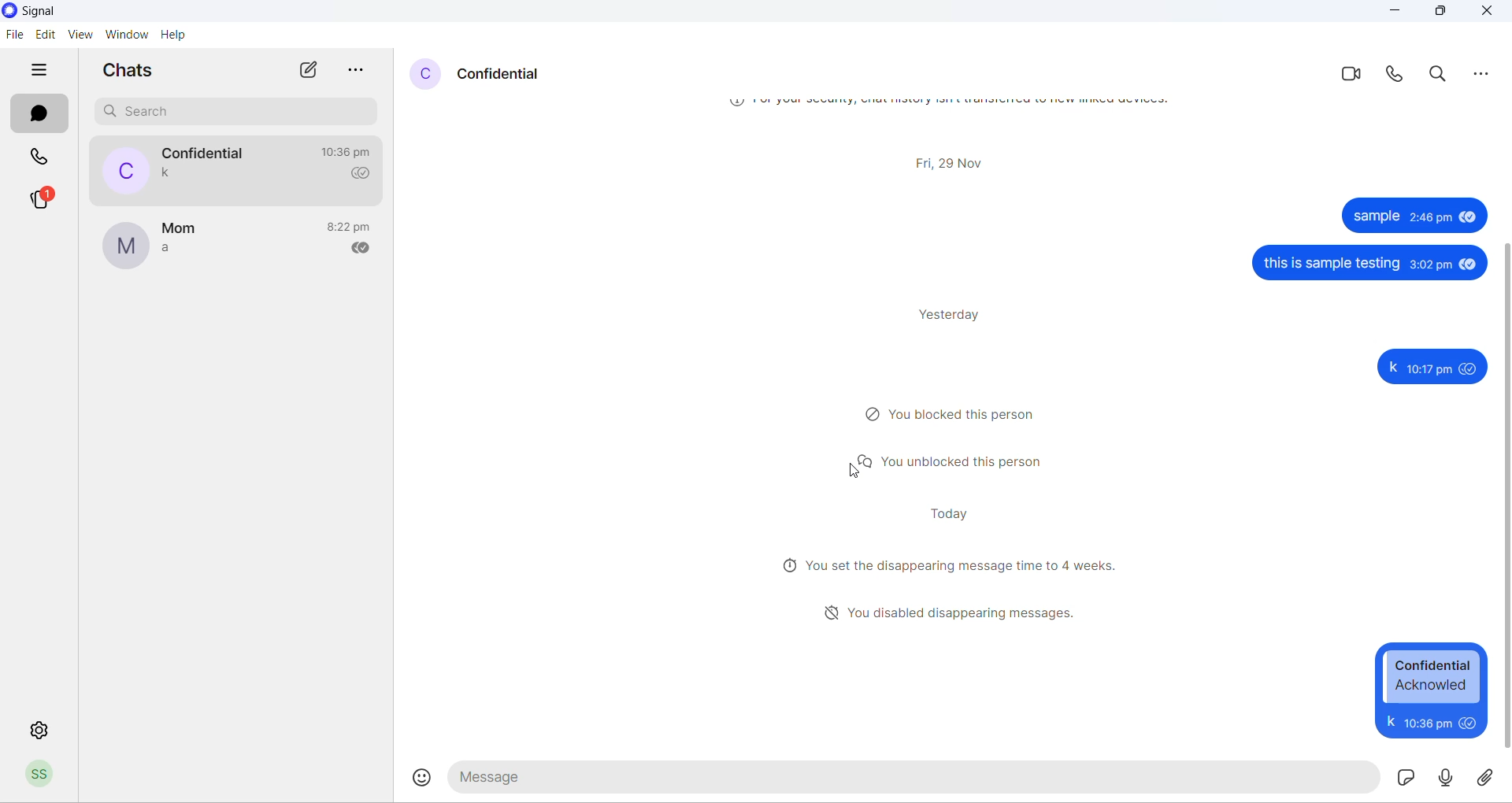 The height and width of the screenshot is (803, 1512). I want to click on profile picture, so click(129, 246).